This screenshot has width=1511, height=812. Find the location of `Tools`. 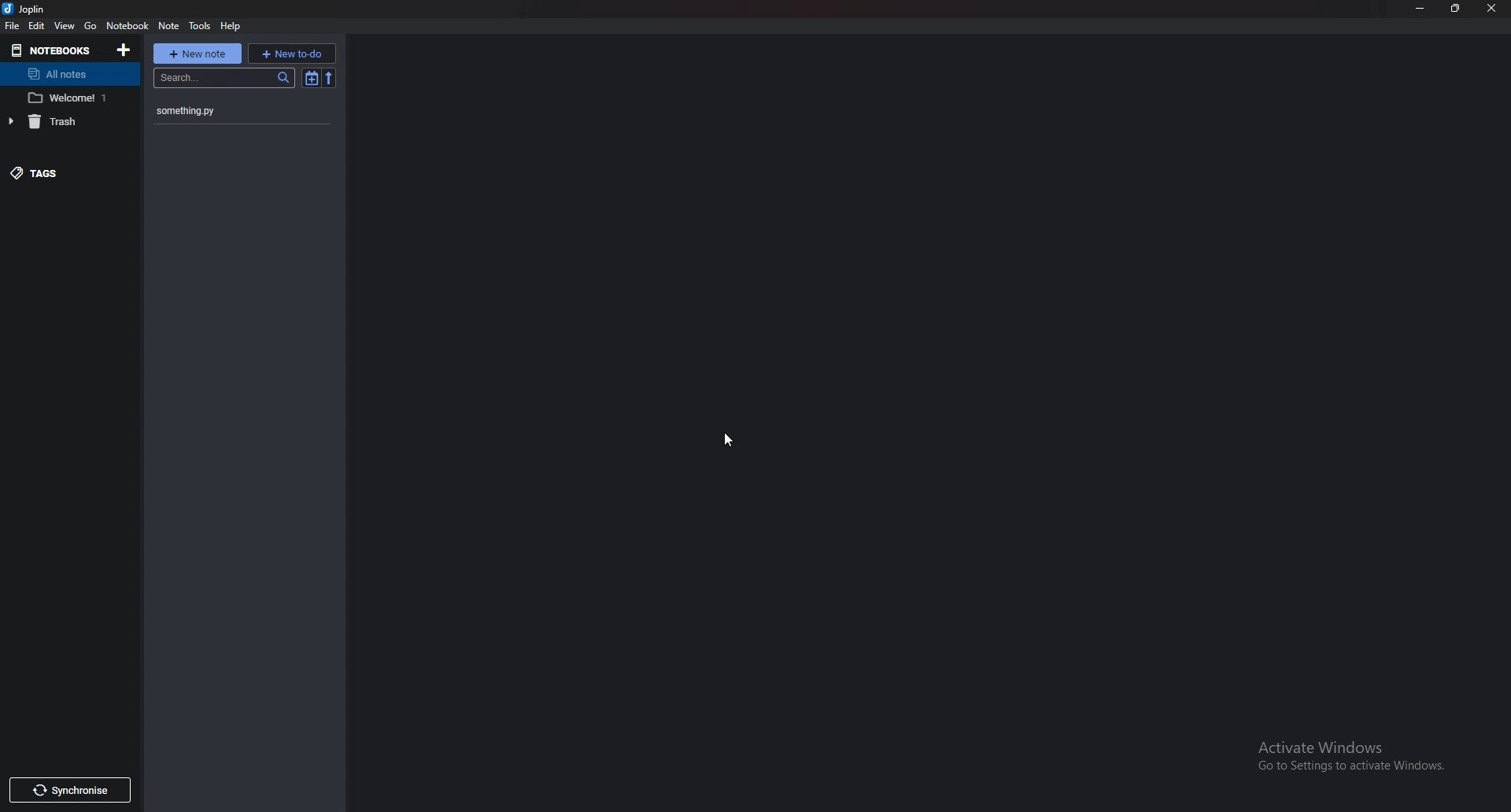

Tools is located at coordinates (201, 24).